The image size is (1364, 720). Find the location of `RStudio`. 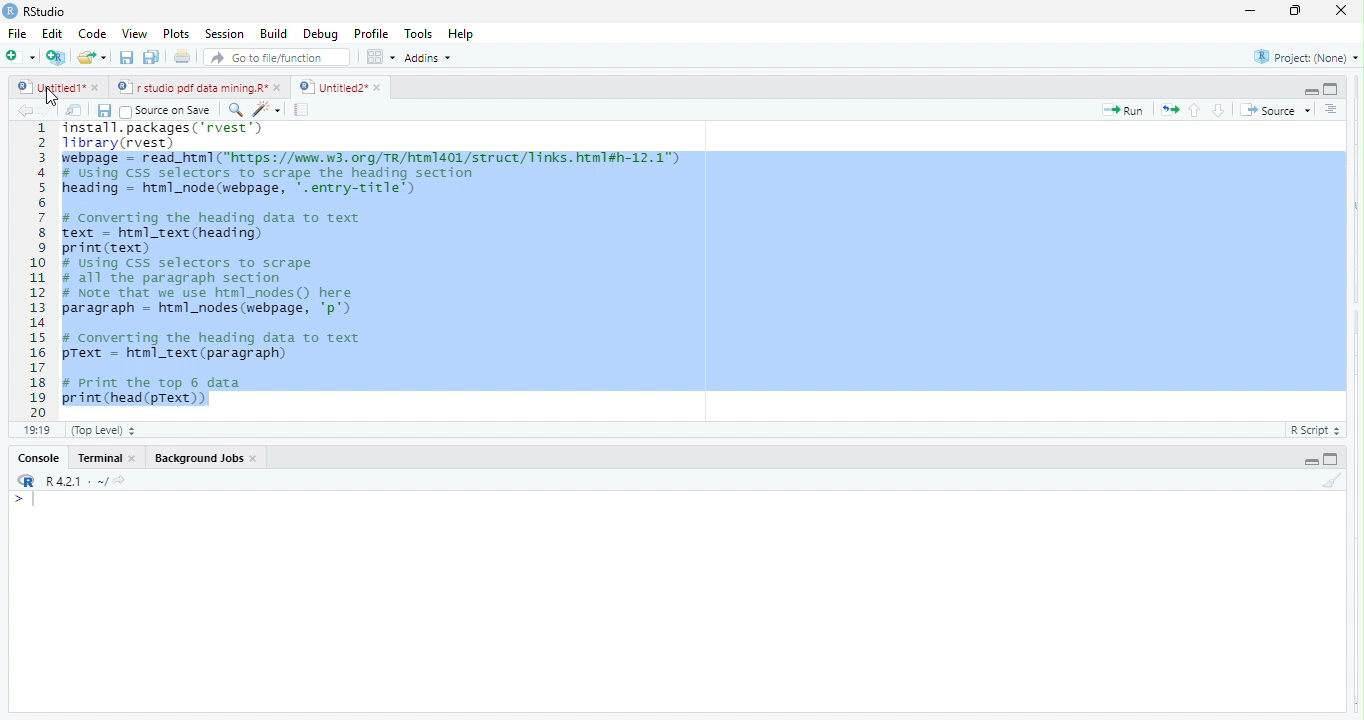

RStudio is located at coordinates (51, 10).